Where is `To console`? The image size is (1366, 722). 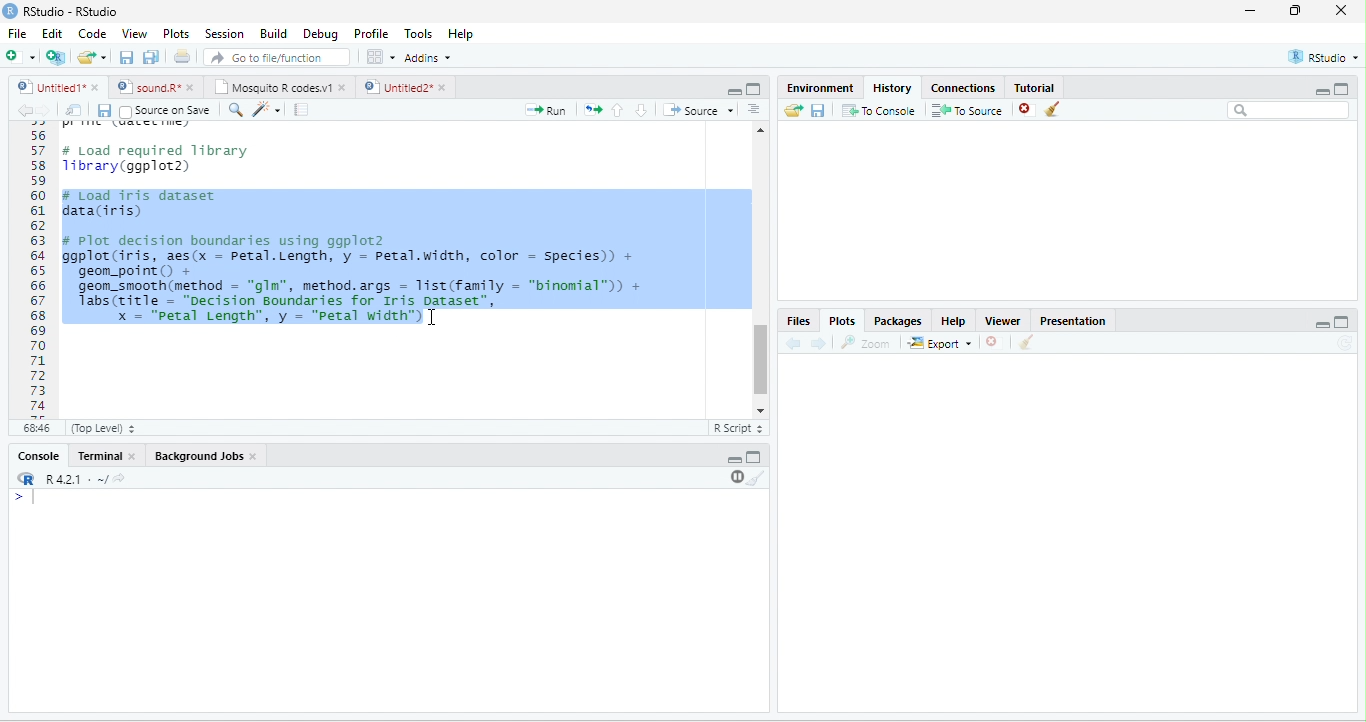
To console is located at coordinates (879, 110).